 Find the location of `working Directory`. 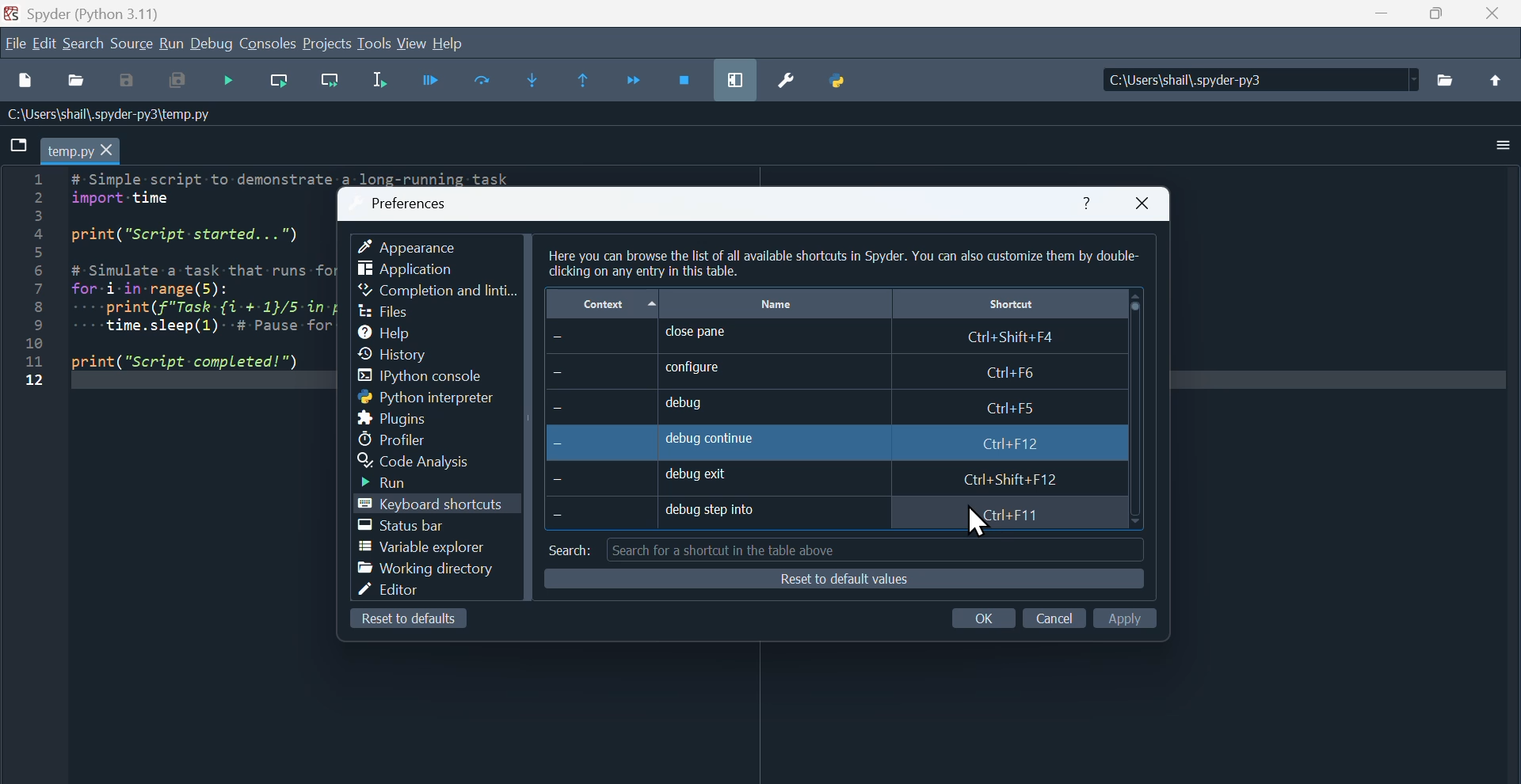

working Directory is located at coordinates (426, 571).